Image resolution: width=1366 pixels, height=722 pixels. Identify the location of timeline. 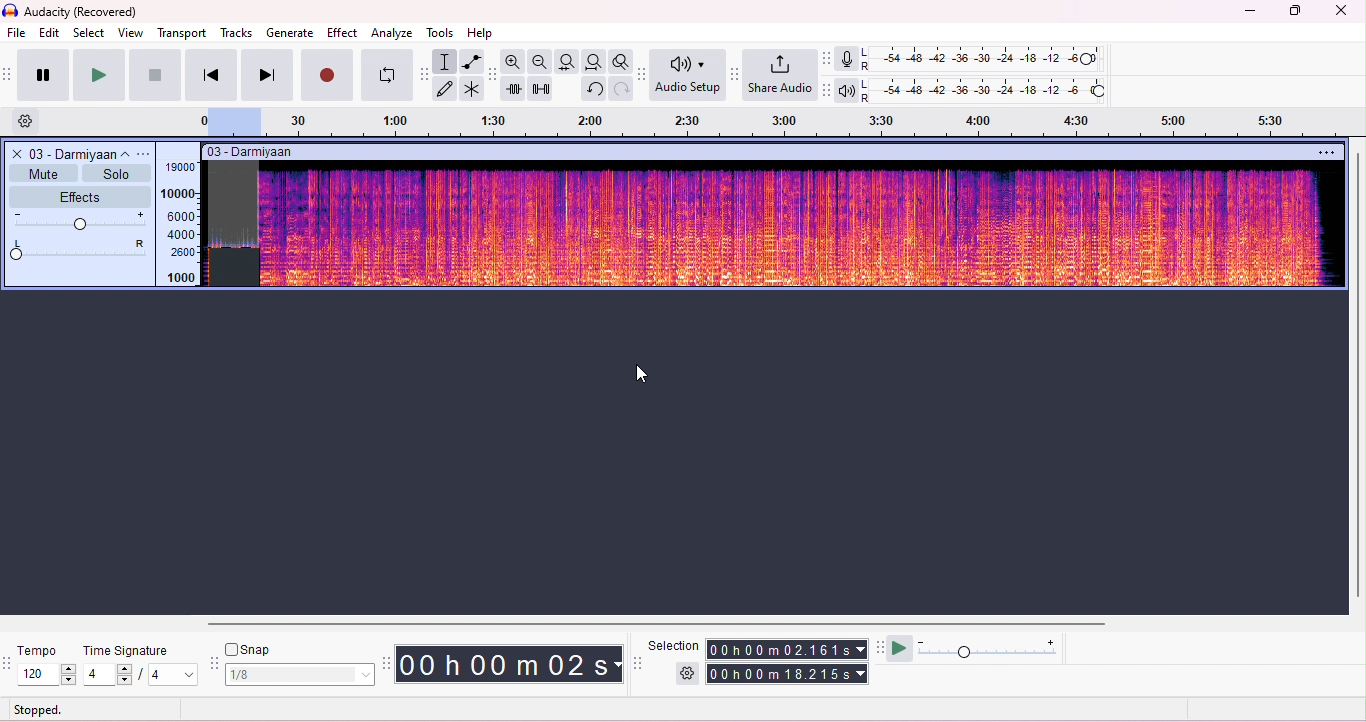
(767, 123).